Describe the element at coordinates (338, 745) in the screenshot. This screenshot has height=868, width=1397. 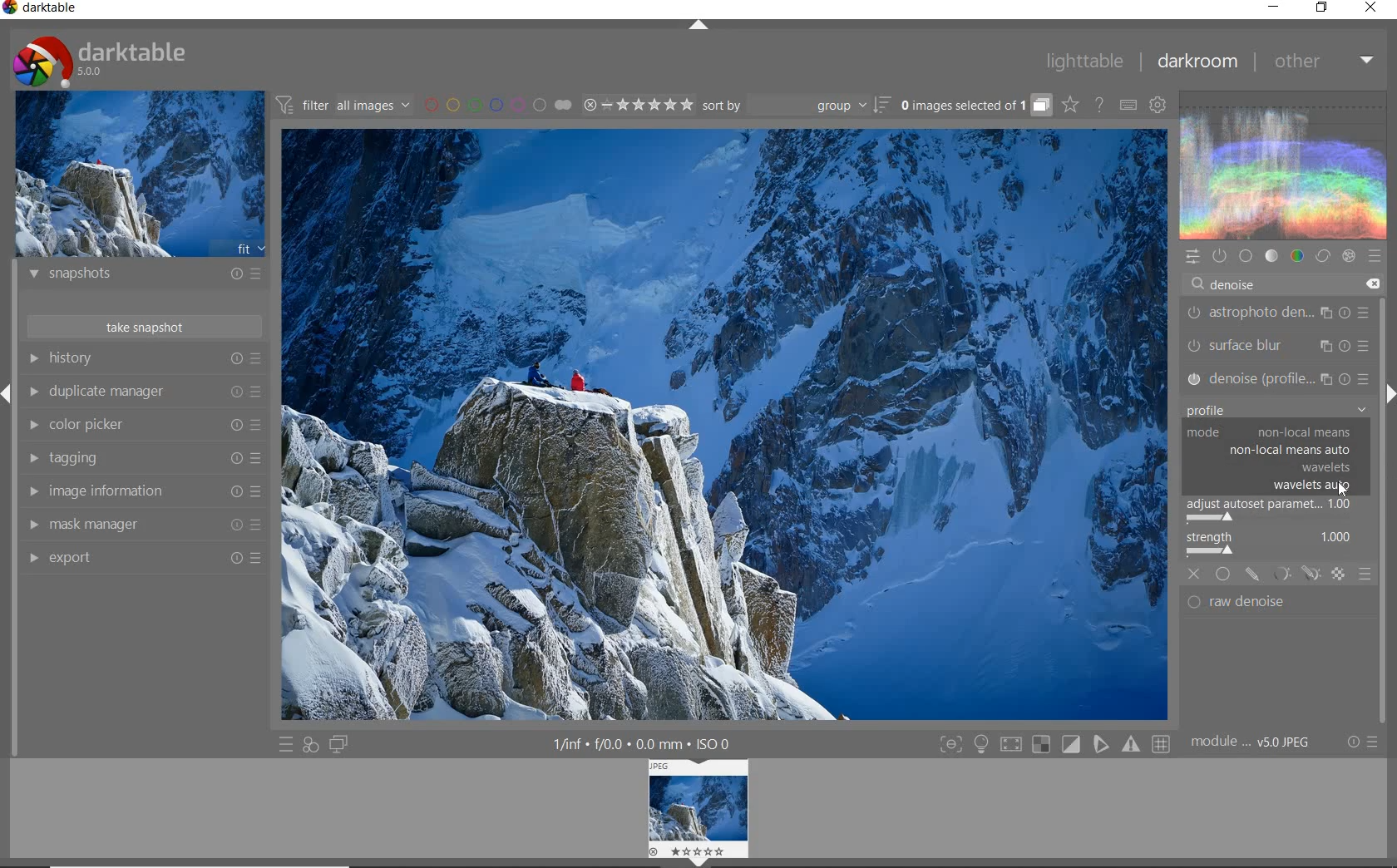
I see `display a second darkroom image window` at that location.